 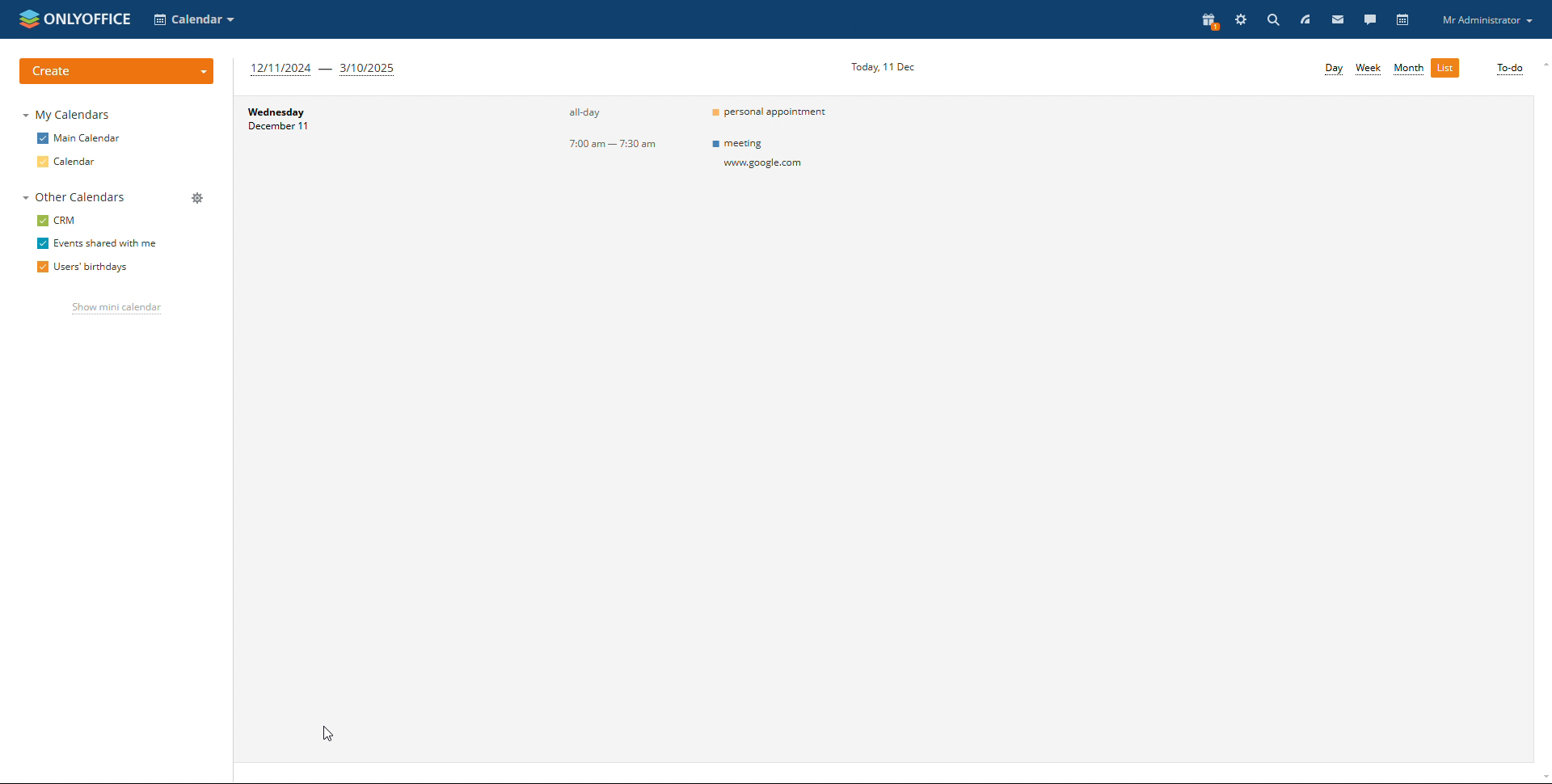 I want to click on main calendar, so click(x=79, y=138).